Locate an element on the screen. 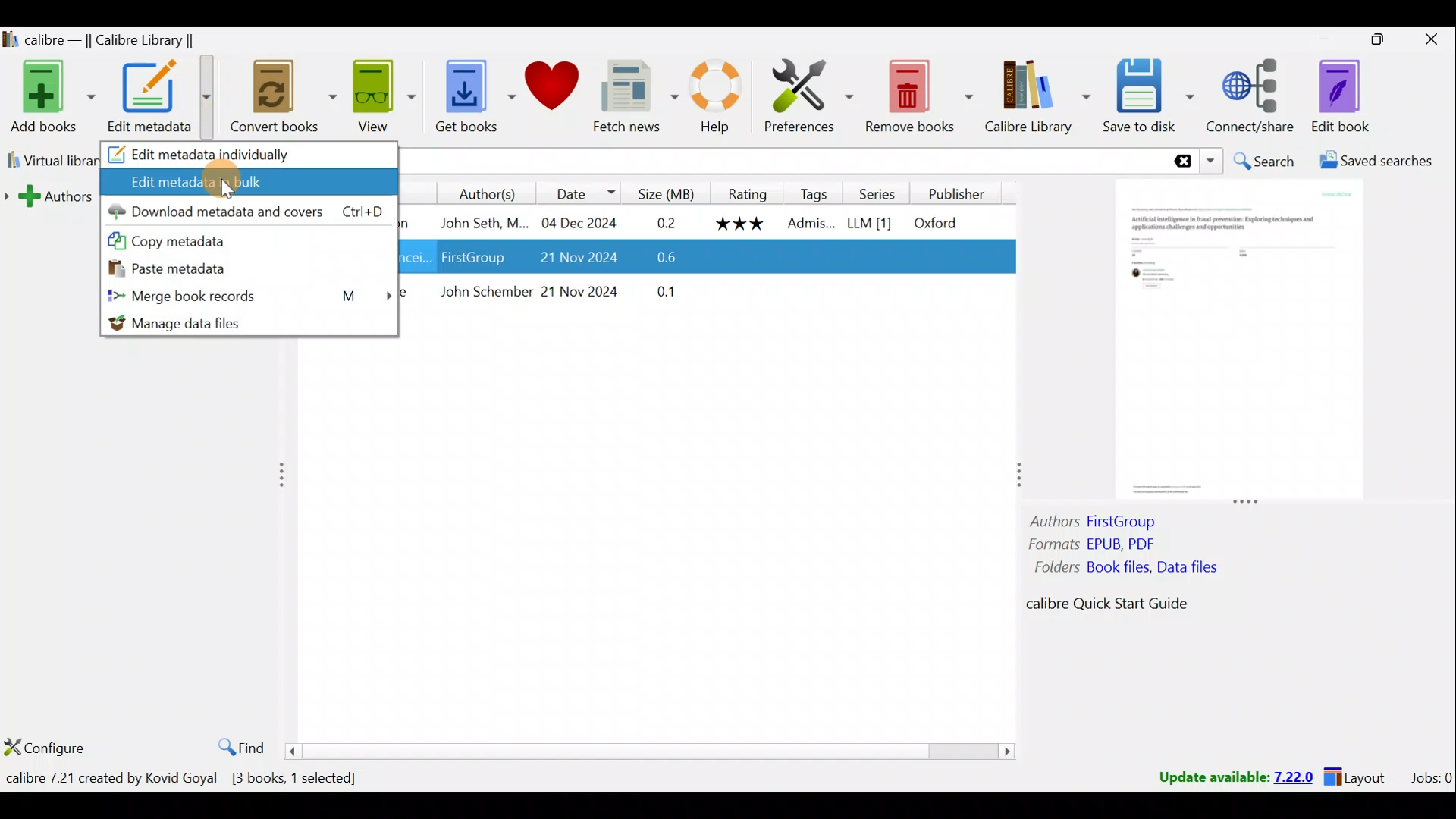  Edit book is located at coordinates (1340, 96).